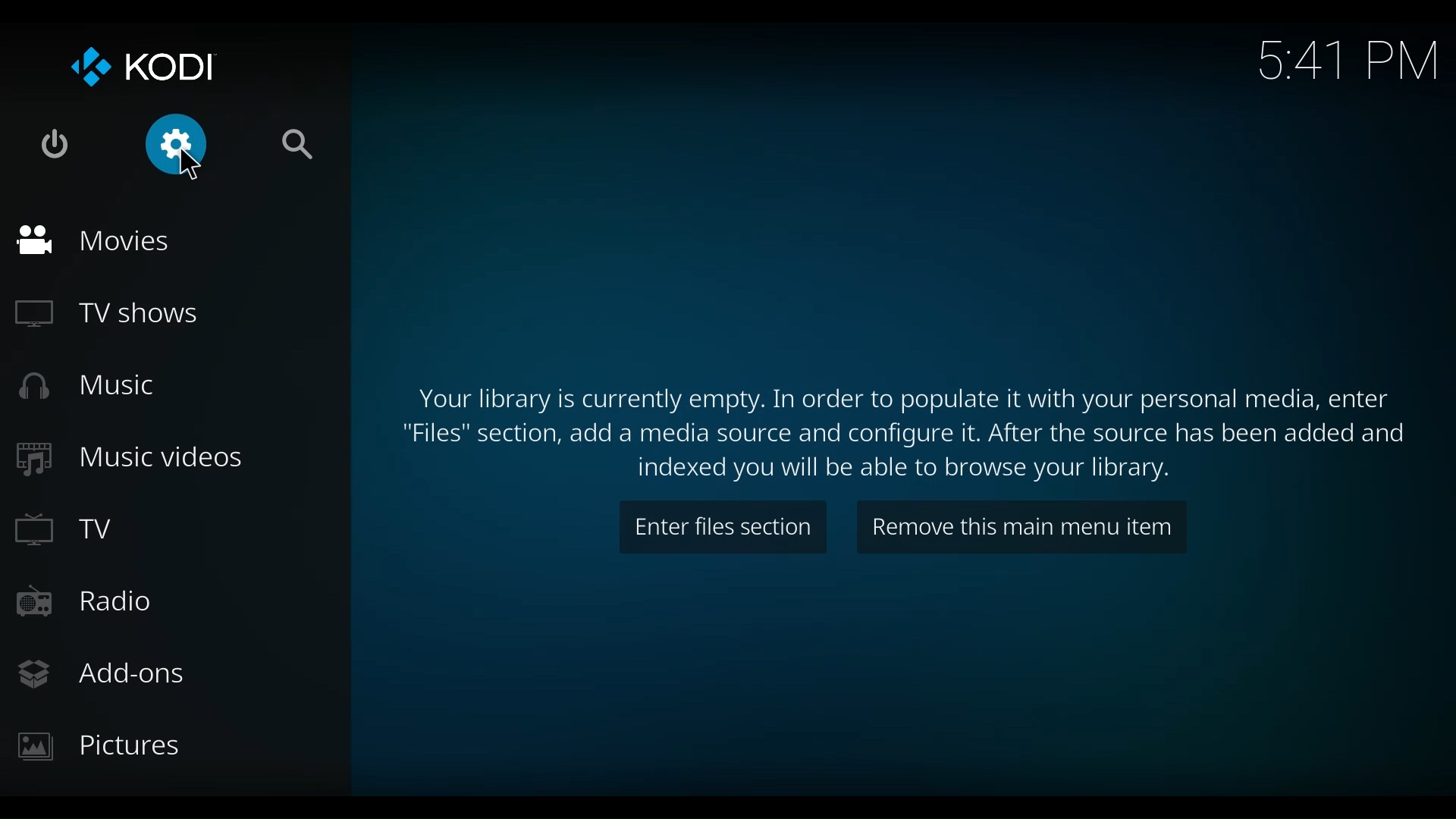 The height and width of the screenshot is (819, 1456). What do you see at coordinates (303, 144) in the screenshot?
I see `search` at bounding box center [303, 144].